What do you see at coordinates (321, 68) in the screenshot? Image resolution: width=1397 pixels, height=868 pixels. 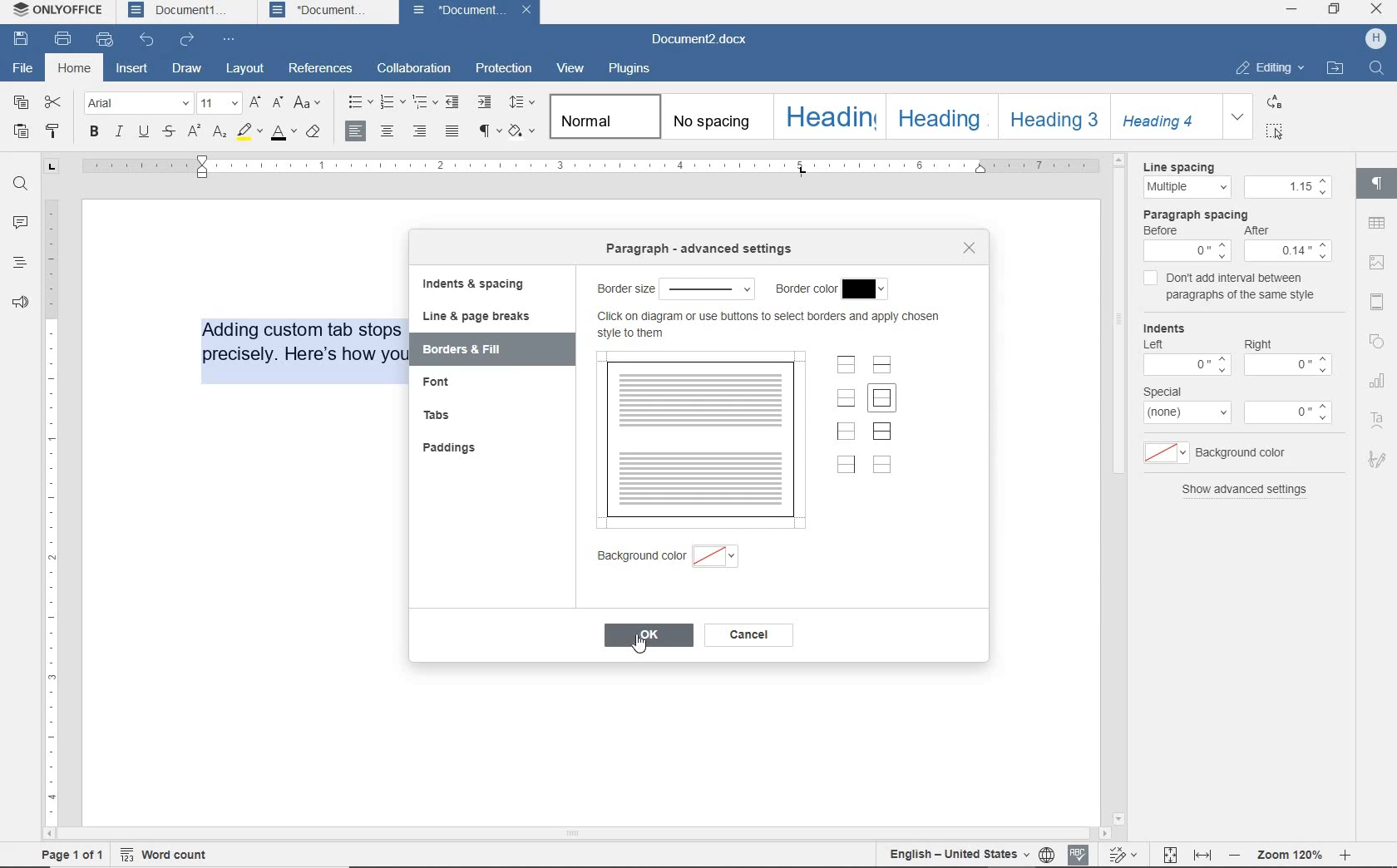 I see `references` at bounding box center [321, 68].